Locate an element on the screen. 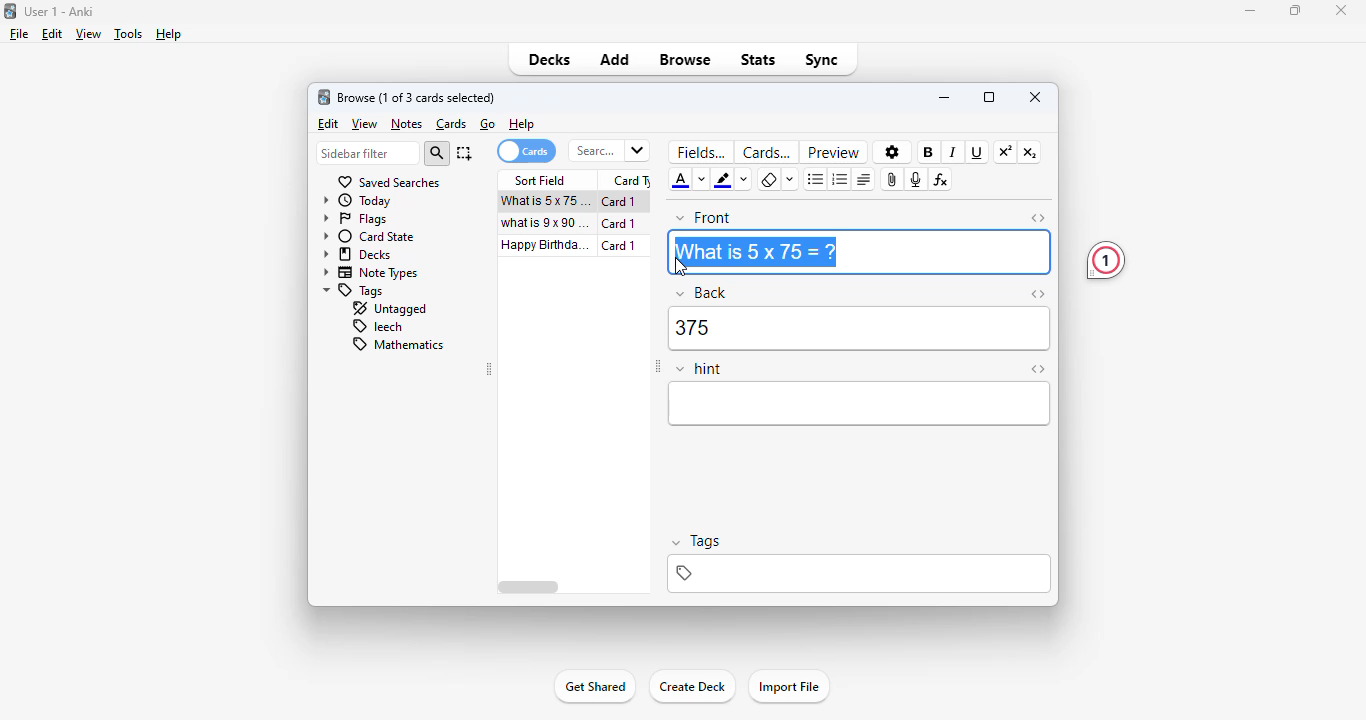 The width and height of the screenshot is (1366, 720). underline is located at coordinates (977, 153).